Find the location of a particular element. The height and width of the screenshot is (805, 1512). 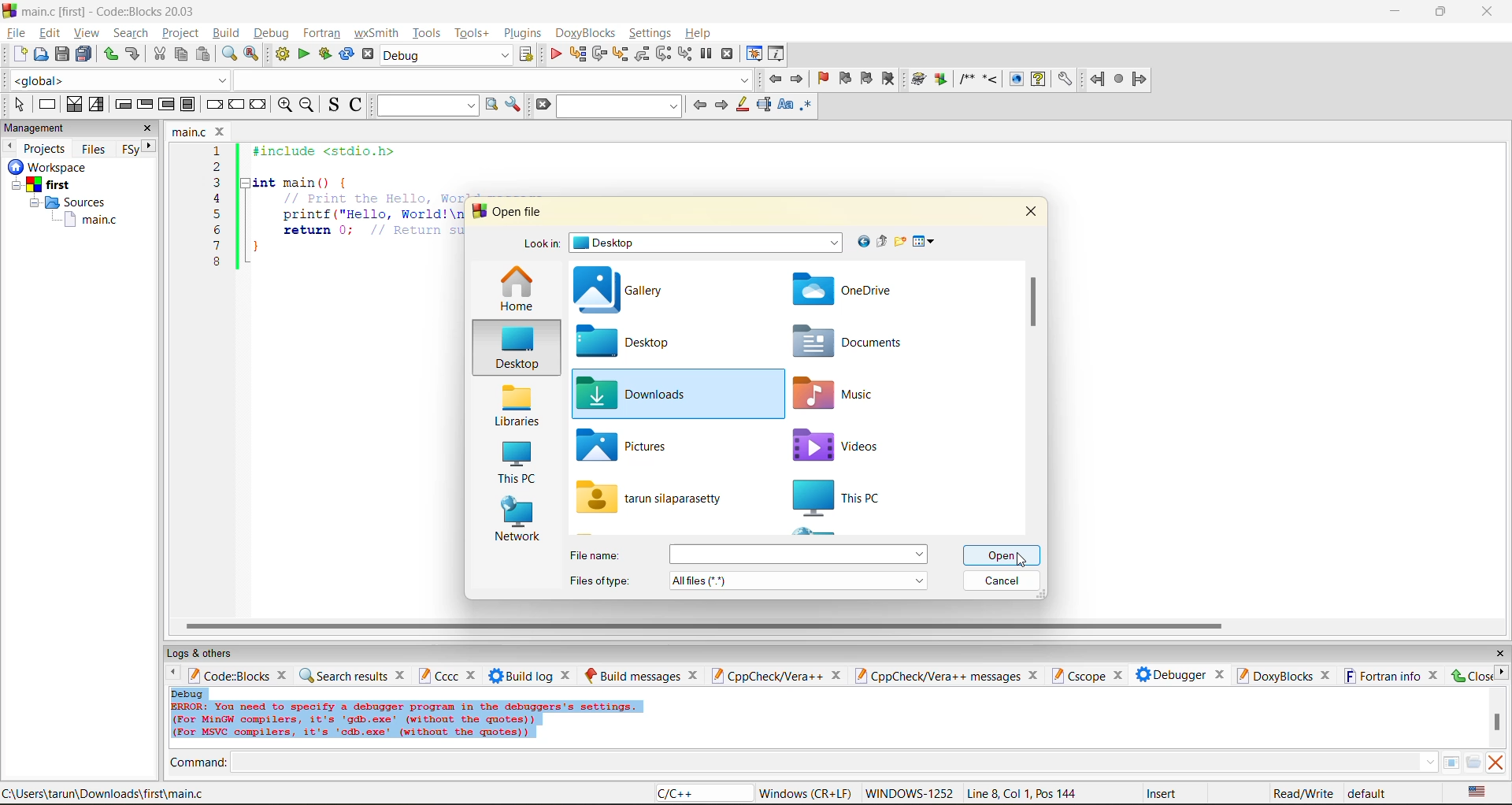

open is located at coordinates (1004, 555).